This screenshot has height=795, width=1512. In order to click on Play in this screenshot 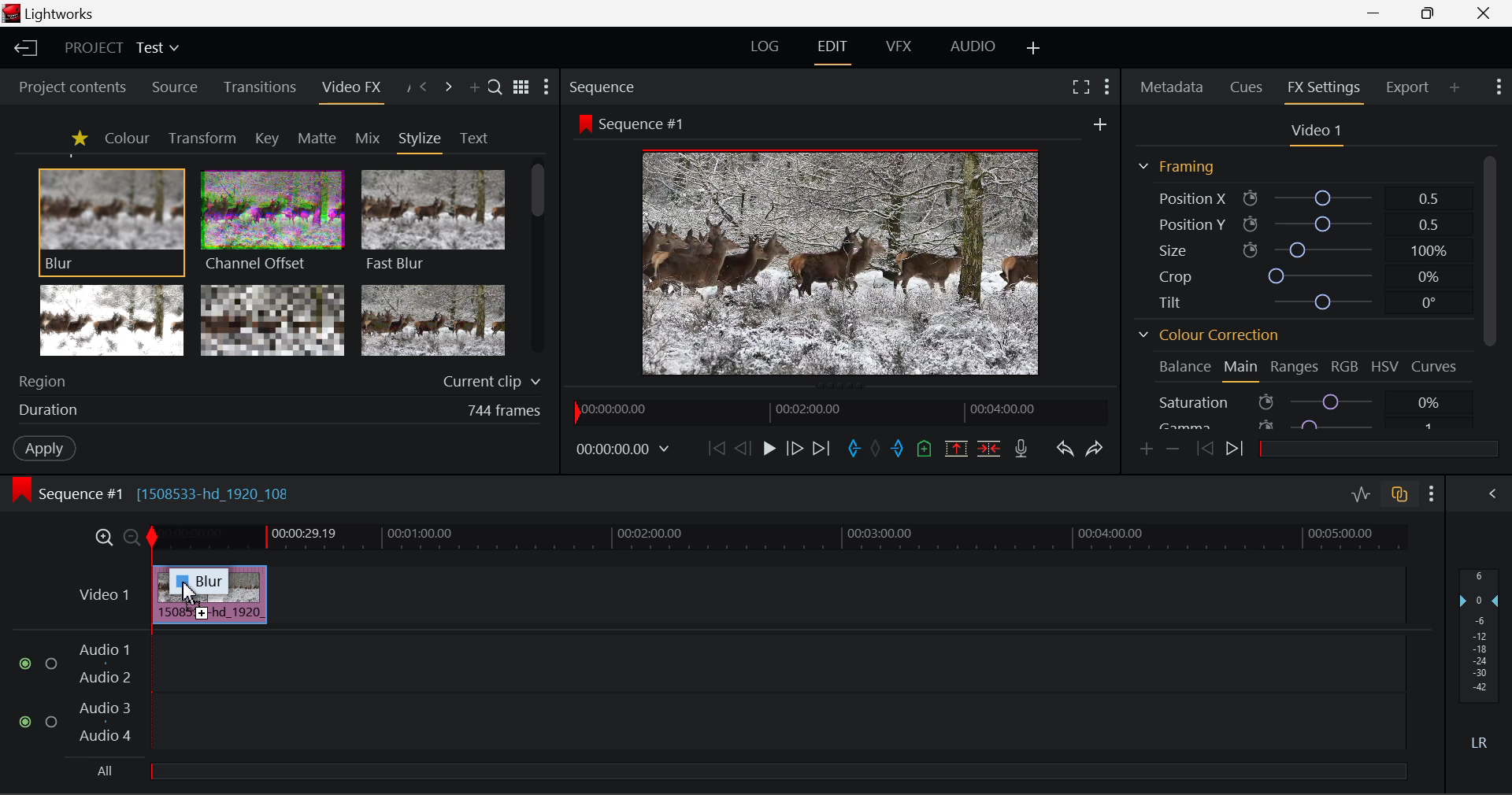, I will do `click(767, 449)`.